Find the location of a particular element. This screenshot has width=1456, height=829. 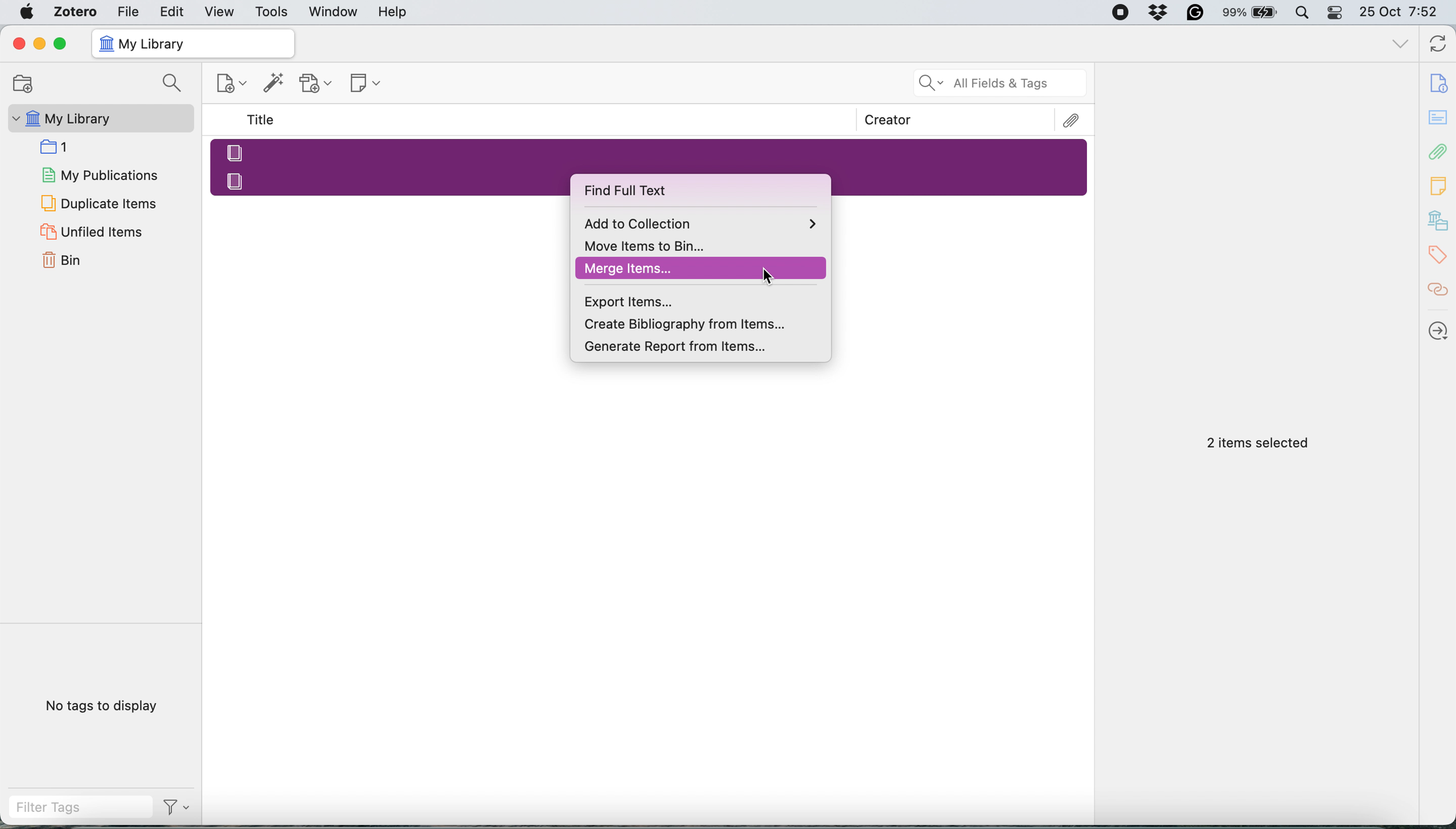

2 items selected is located at coordinates (1258, 444).